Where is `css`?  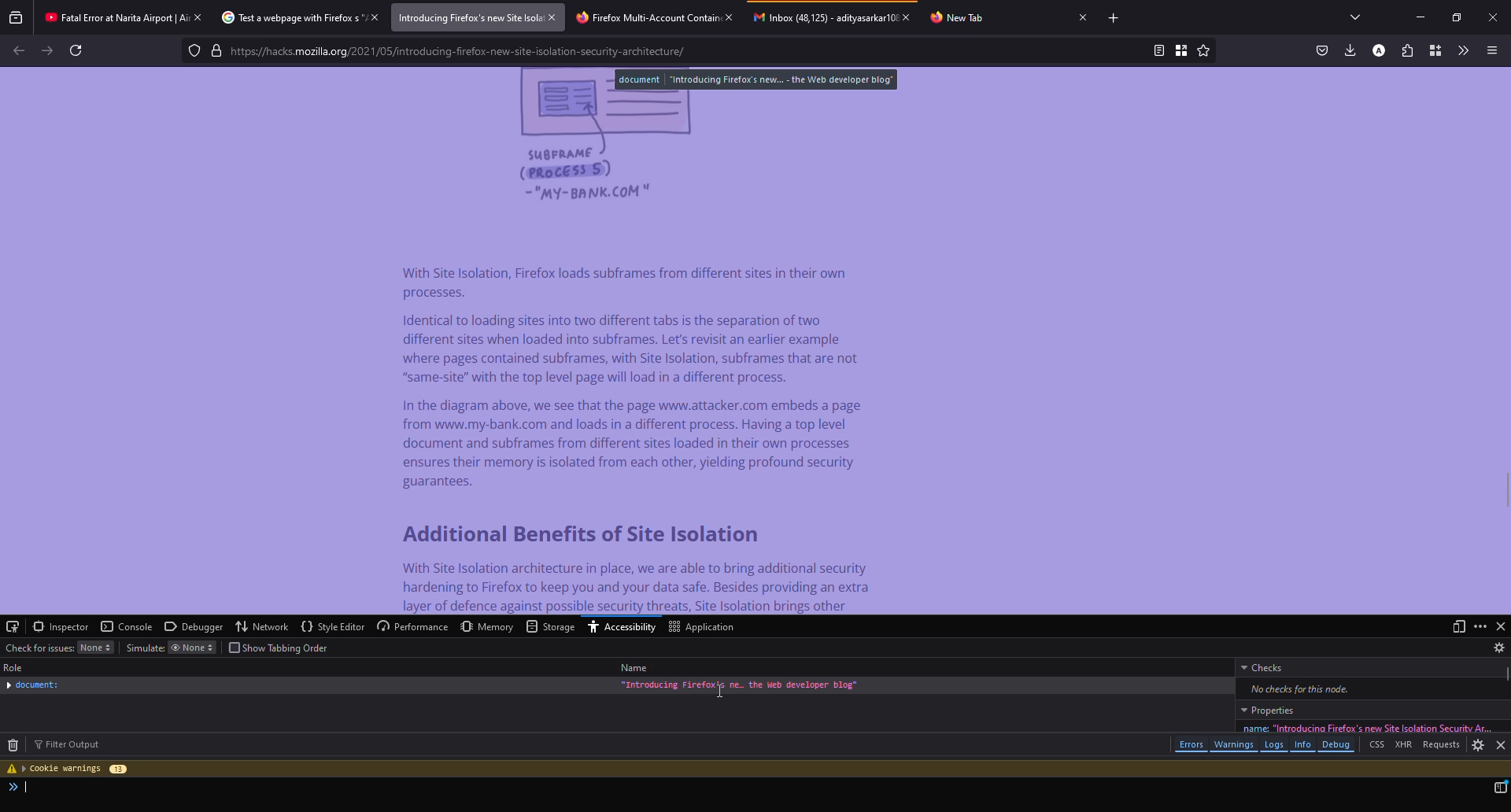
css is located at coordinates (1377, 747).